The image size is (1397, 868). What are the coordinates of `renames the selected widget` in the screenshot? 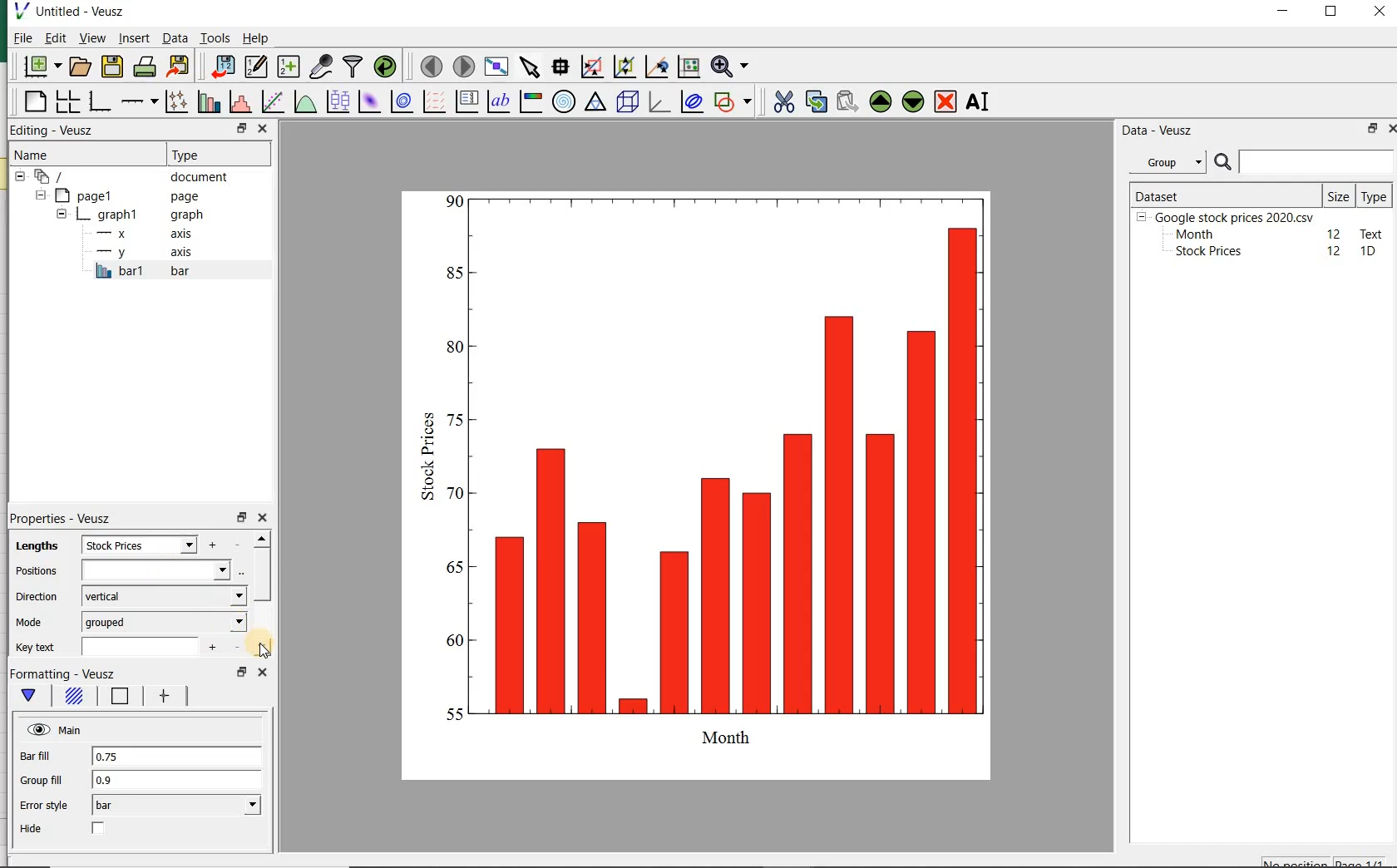 It's located at (975, 104).